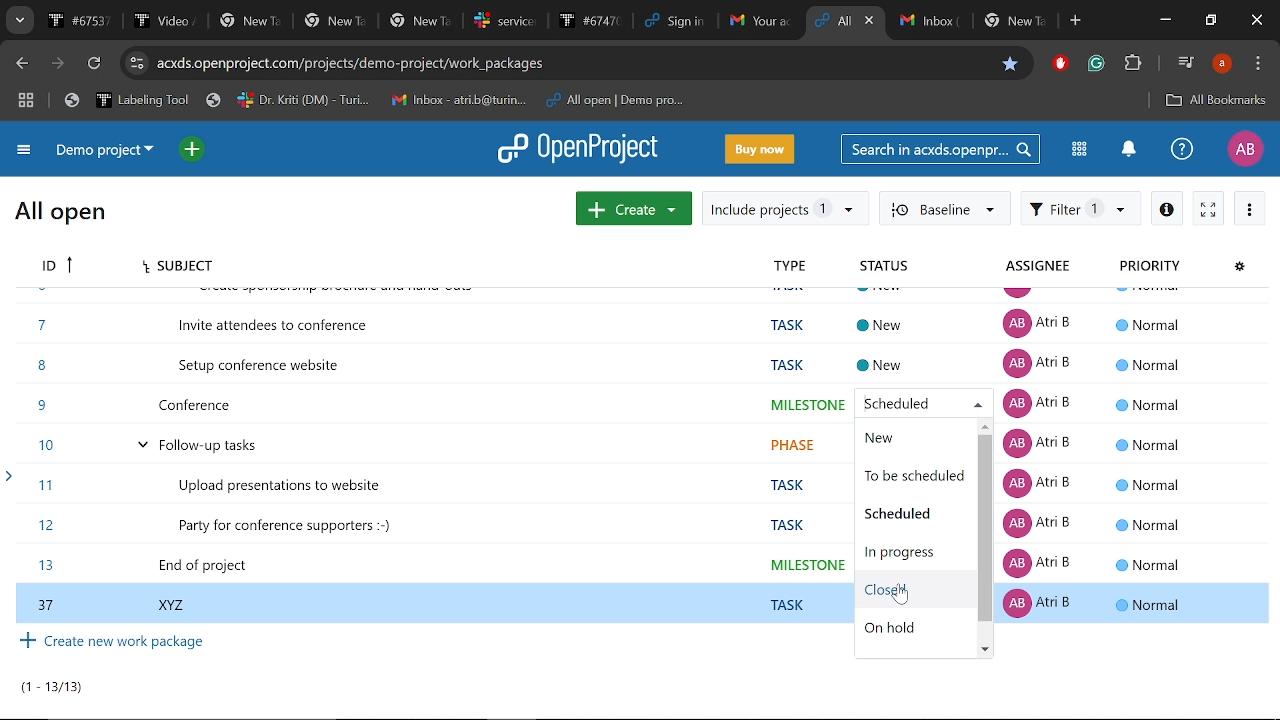 The height and width of the screenshot is (720, 1280). I want to click on Include project, so click(783, 208).